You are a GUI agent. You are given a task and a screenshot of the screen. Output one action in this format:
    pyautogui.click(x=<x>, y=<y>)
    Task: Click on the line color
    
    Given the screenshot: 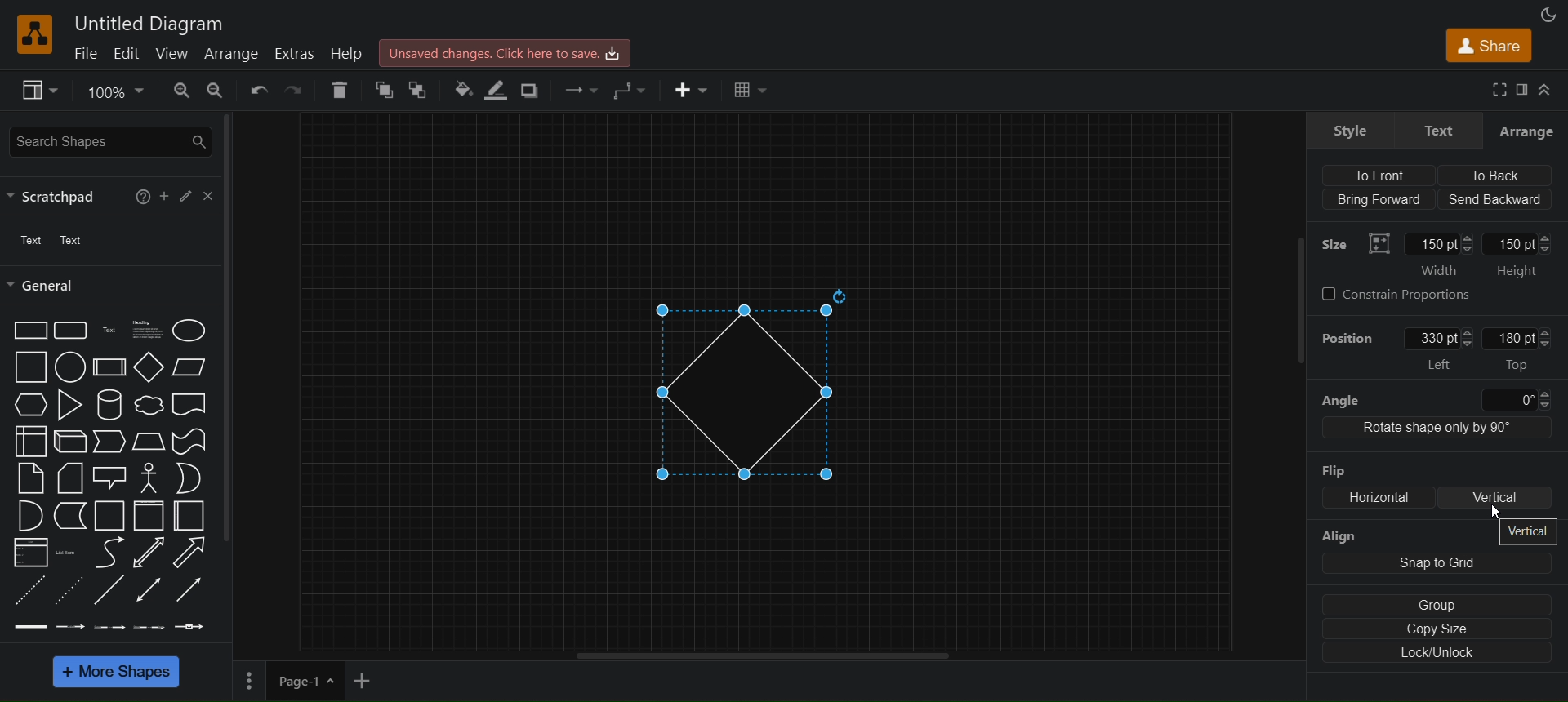 What is the action you would take?
    pyautogui.click(x=495, y=91)
    